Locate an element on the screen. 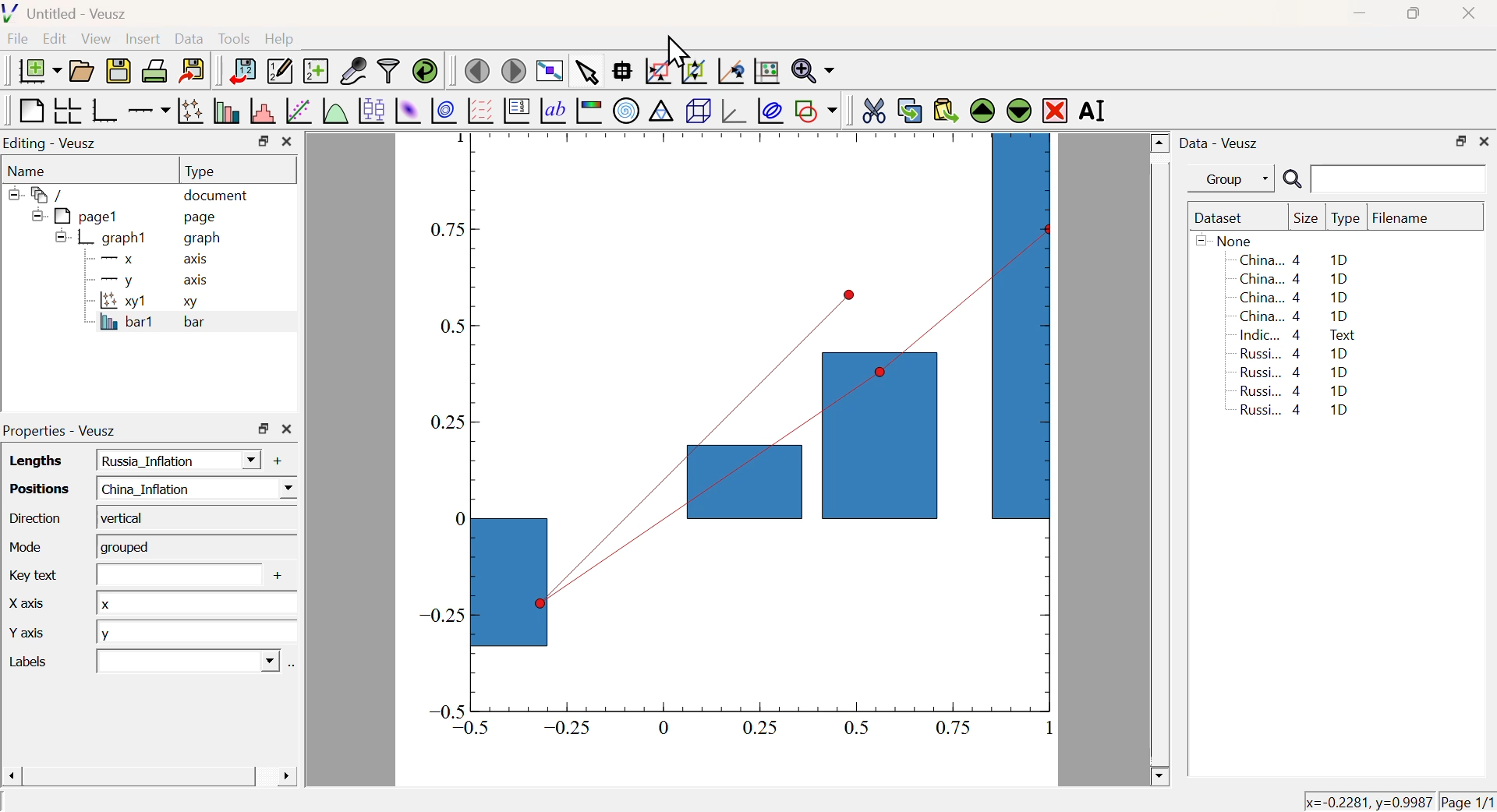 This screenshot has width=1497, height=812. Name is located at coordinates (28, 171).